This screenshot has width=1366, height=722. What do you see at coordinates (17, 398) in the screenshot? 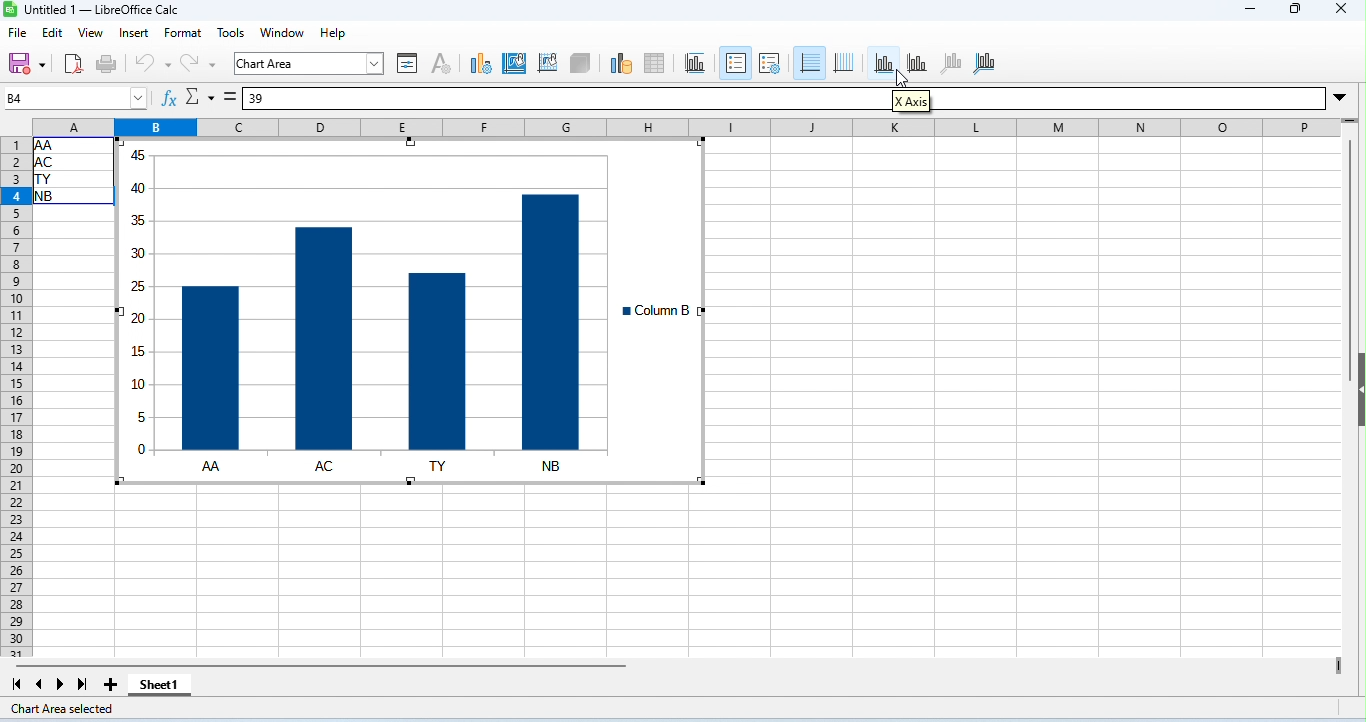
I see `row numbers` at bounding box center [17, 398].